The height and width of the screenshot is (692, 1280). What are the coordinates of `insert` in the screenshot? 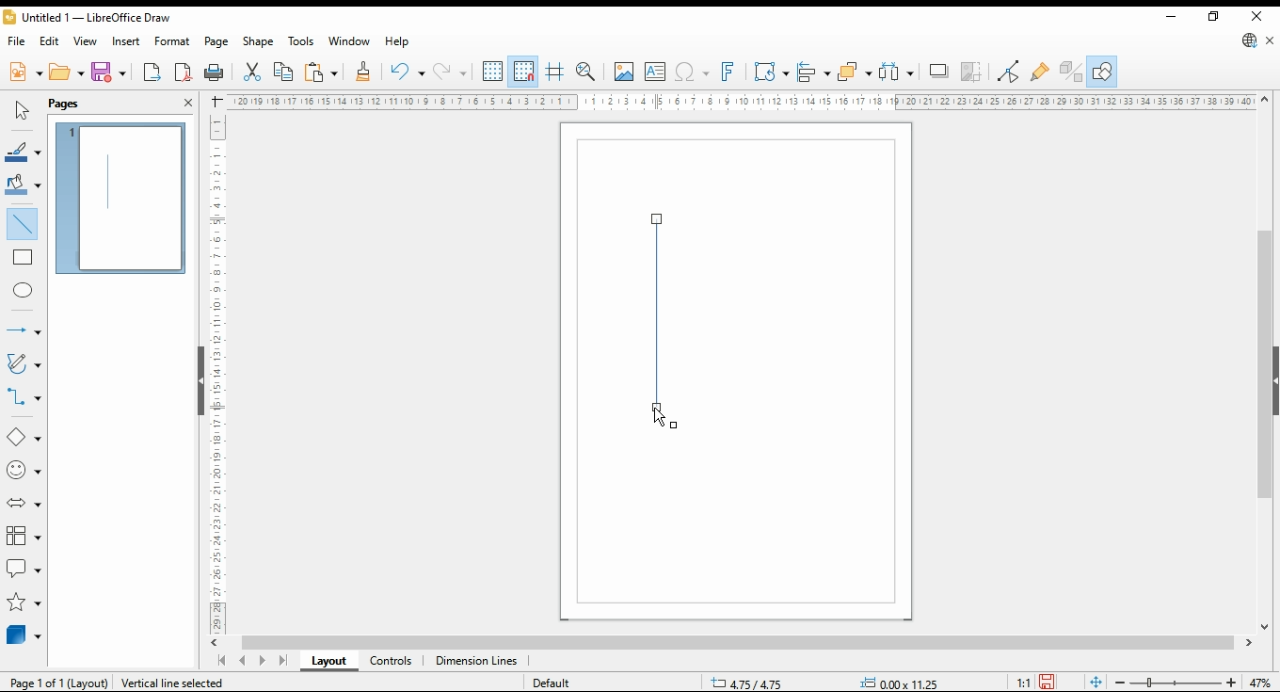 It's located at (126, 41).